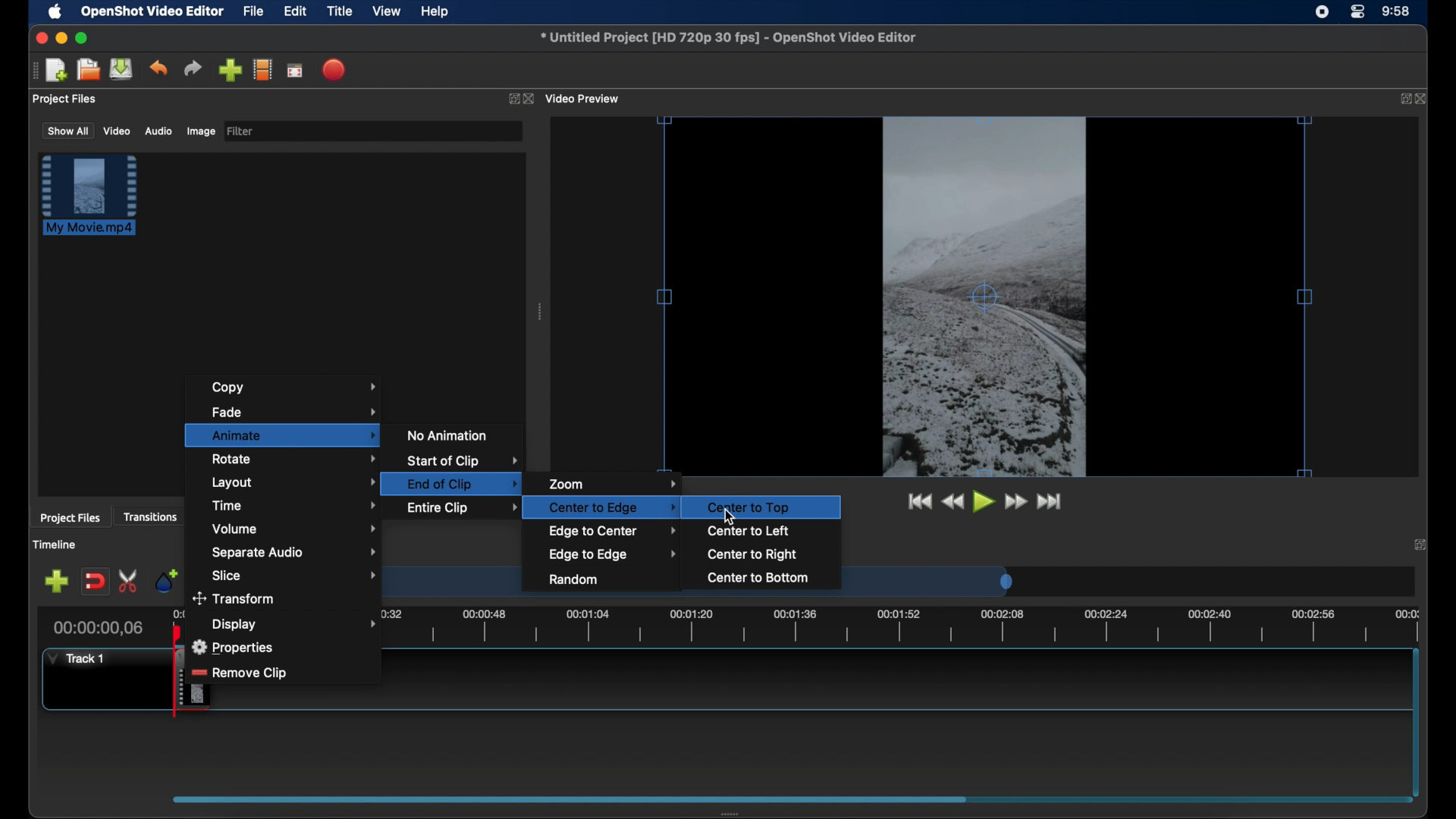 Image resolution: width=1456 pixels, height=819 pixels. I want to click on new project, so click(58, 71).